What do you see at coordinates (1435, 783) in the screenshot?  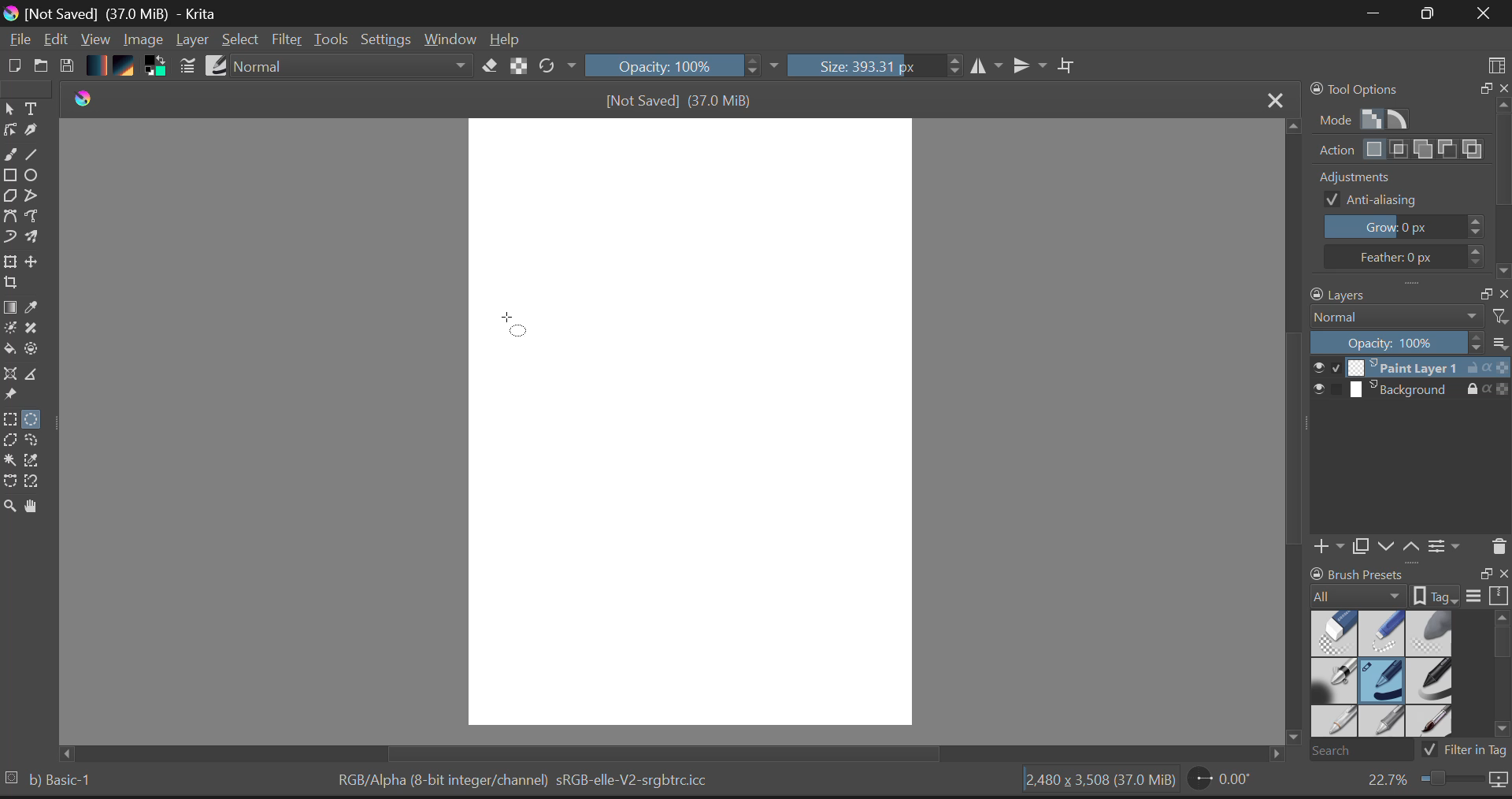 I see `Zoom` at bounding box center [1435, 783].